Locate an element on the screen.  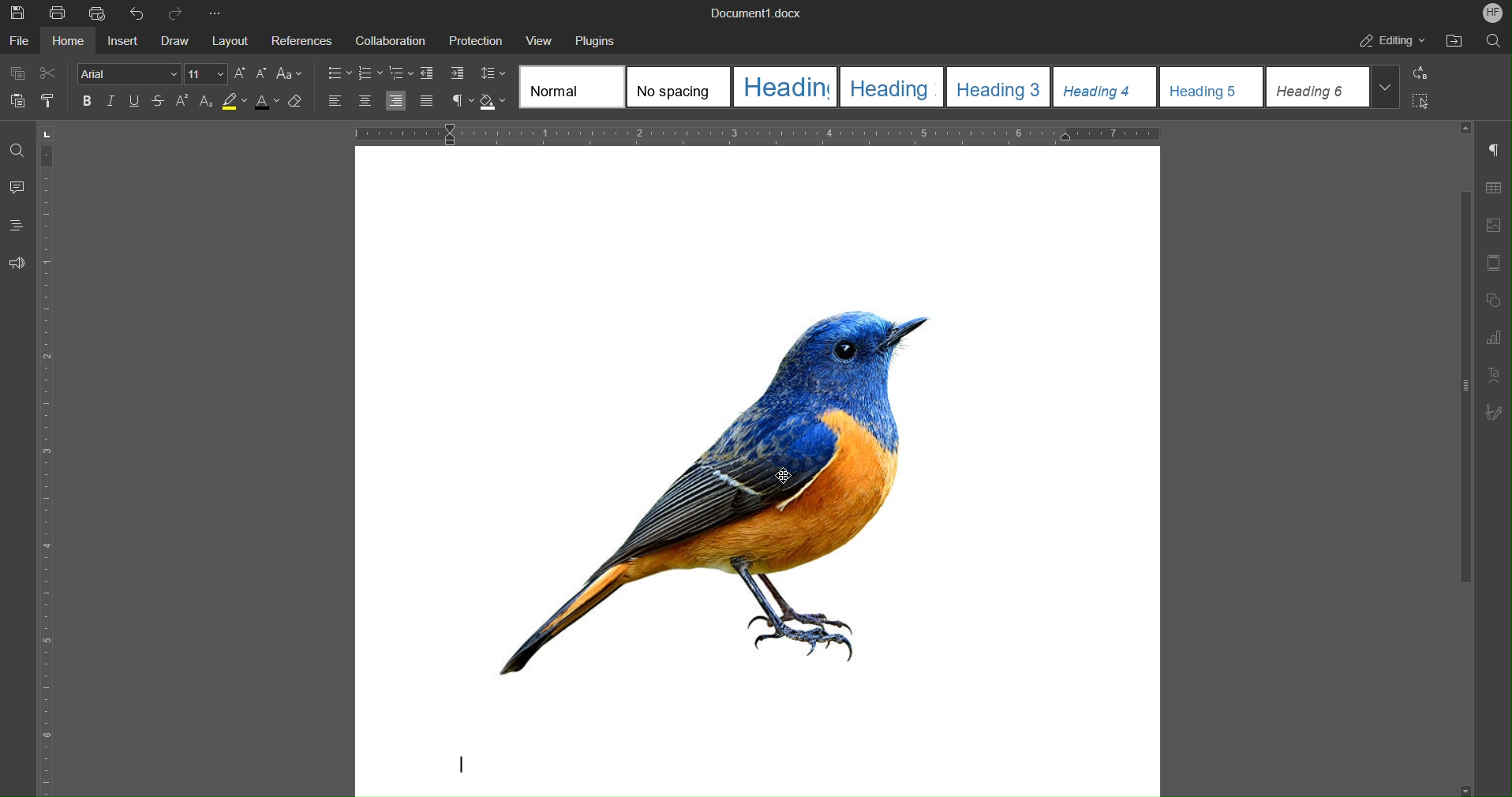
Decrease Font Size is located at coordinates (260, 74).